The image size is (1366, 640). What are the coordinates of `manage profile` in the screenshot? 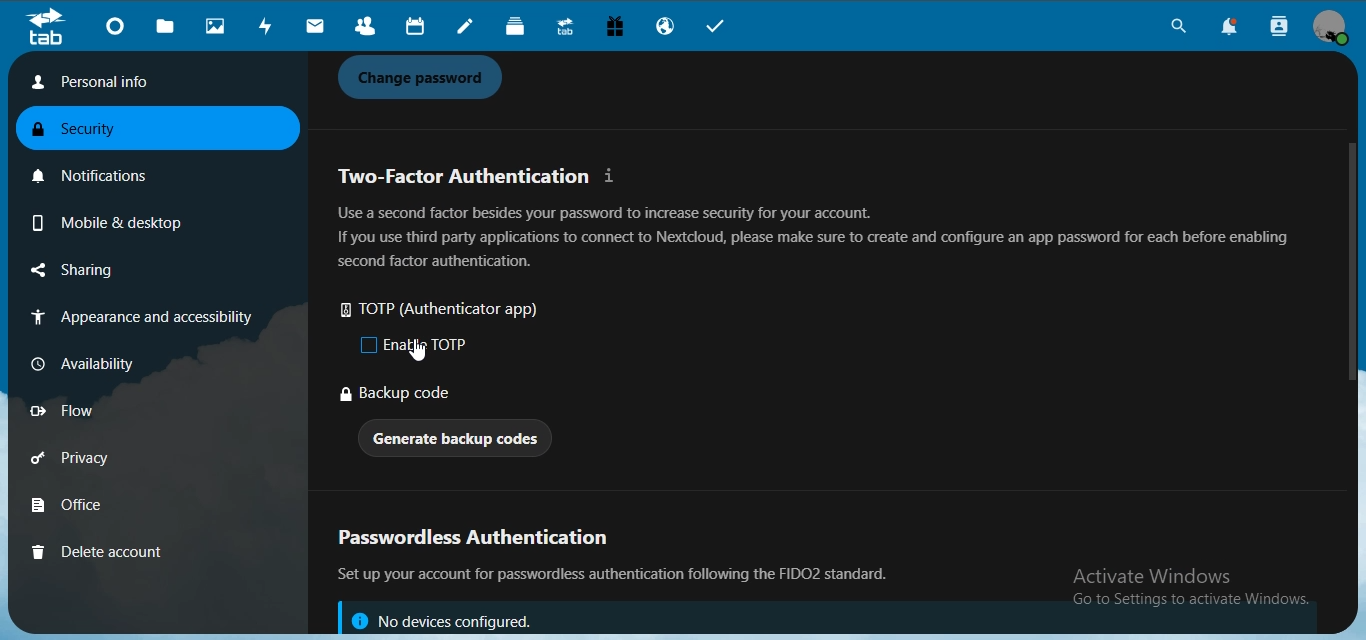 It's located at (1332, 28).